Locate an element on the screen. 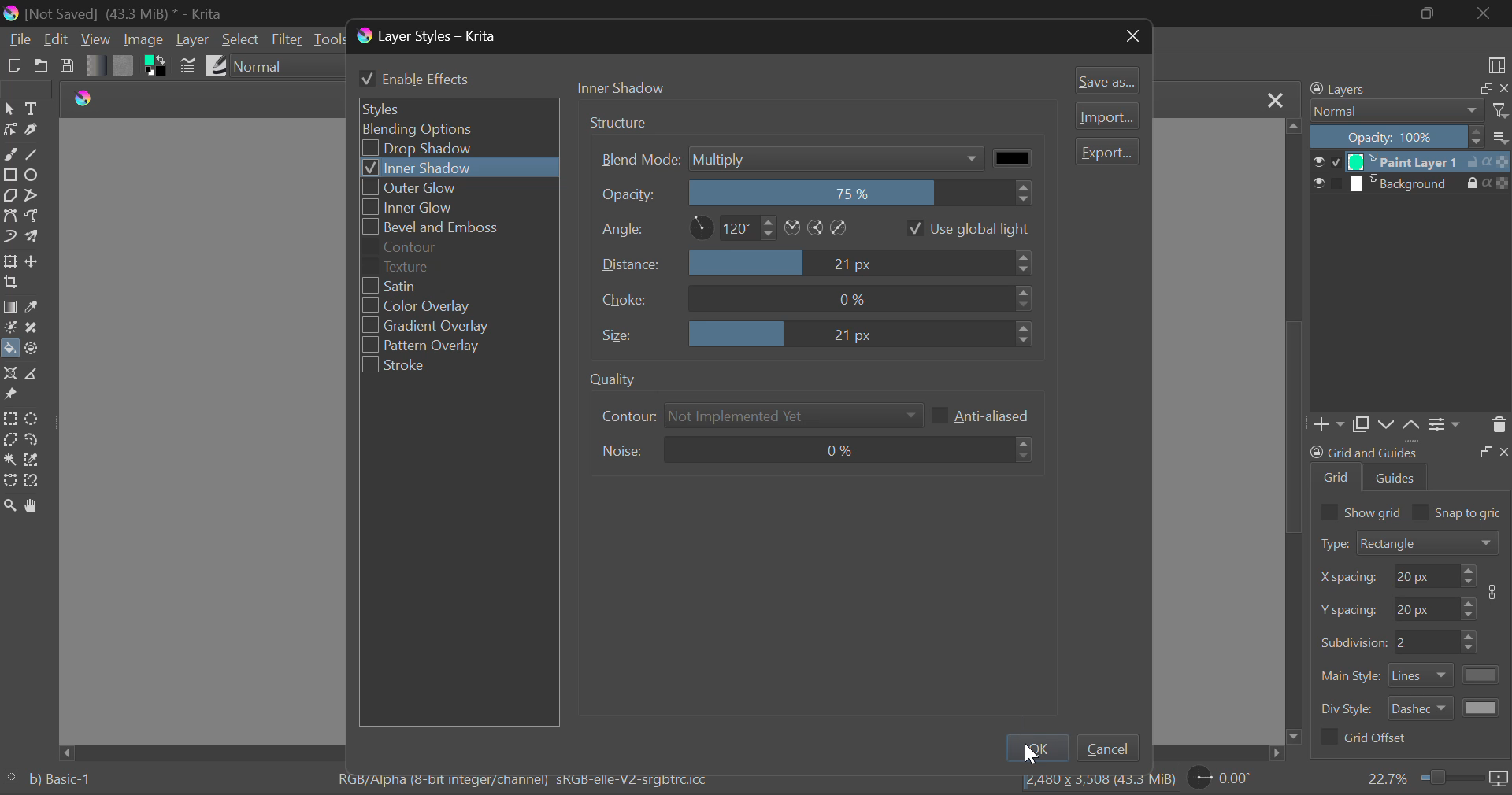 This screenshot has width=1512, height=795. Tab Heading is located at coordinates (623, 91).